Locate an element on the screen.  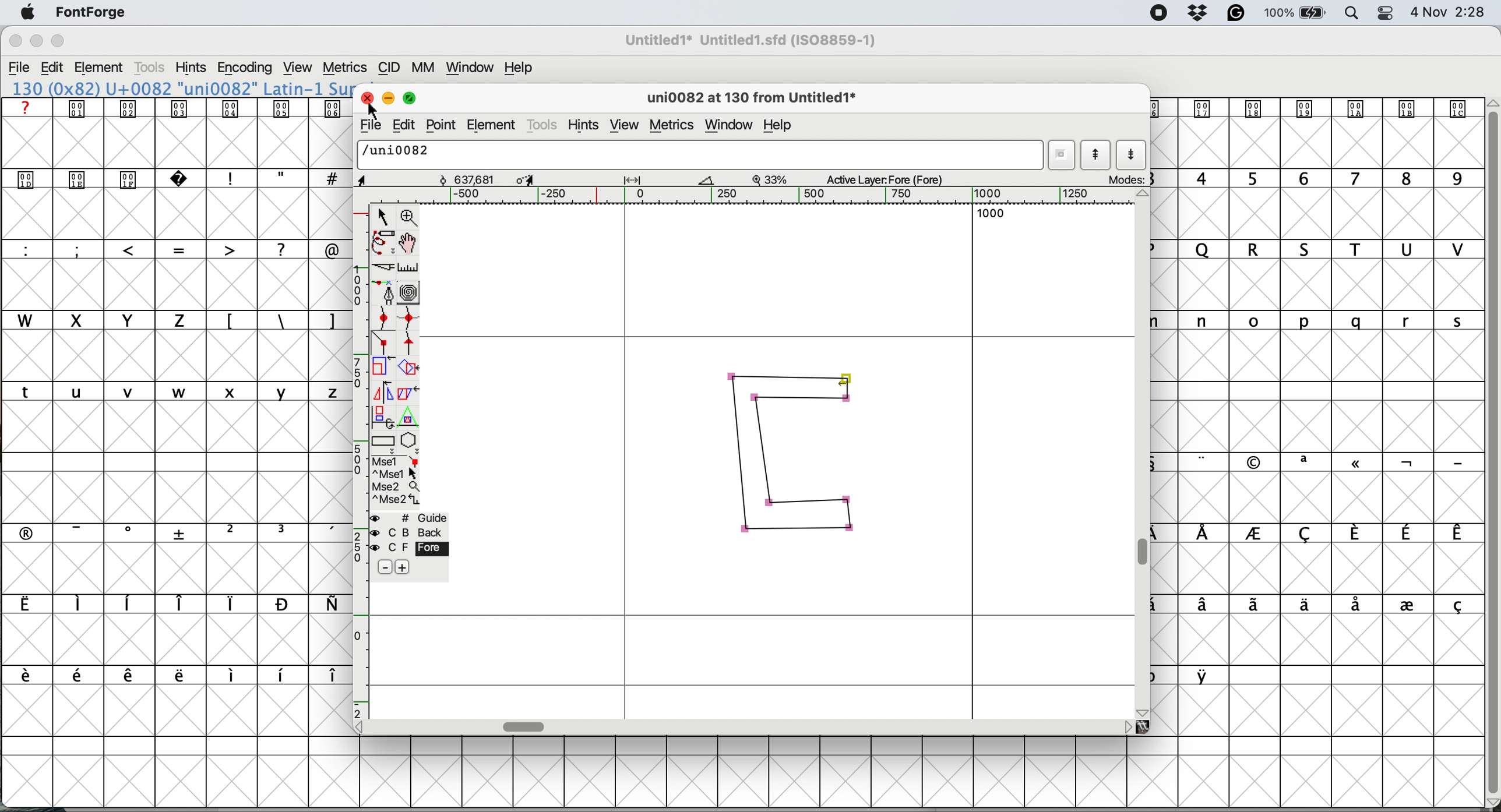
element is located at coordinates (100, 69).